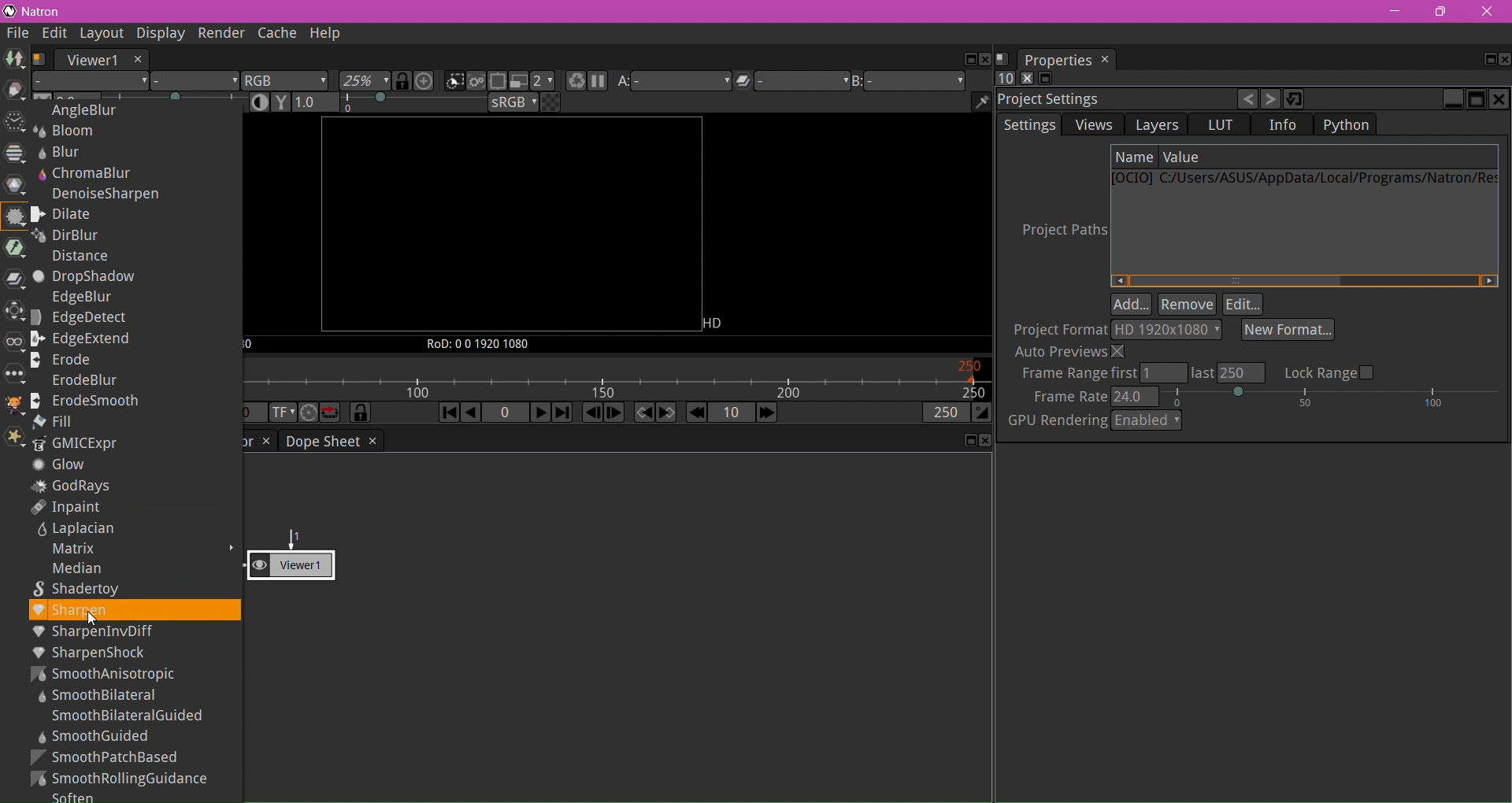 Image resolution: width=1512 pixels, height=803 pixels. I want to click on Viewer playback framerate, in frames per second , so click(254, 413).